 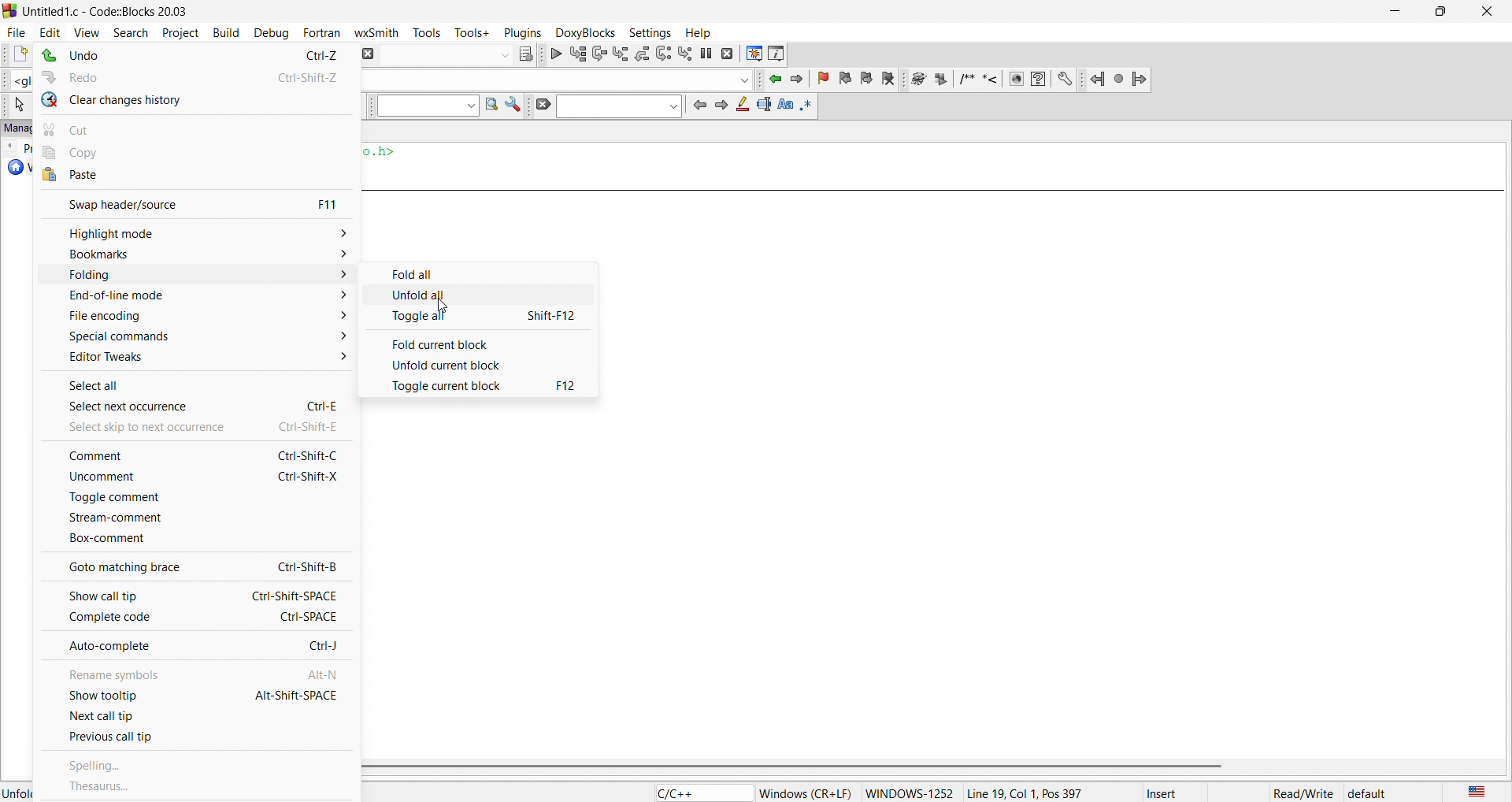 What do you see at coordinates (480, 364) in the screenshot?
I see `unfold current block` at bounding box center [480, 364].